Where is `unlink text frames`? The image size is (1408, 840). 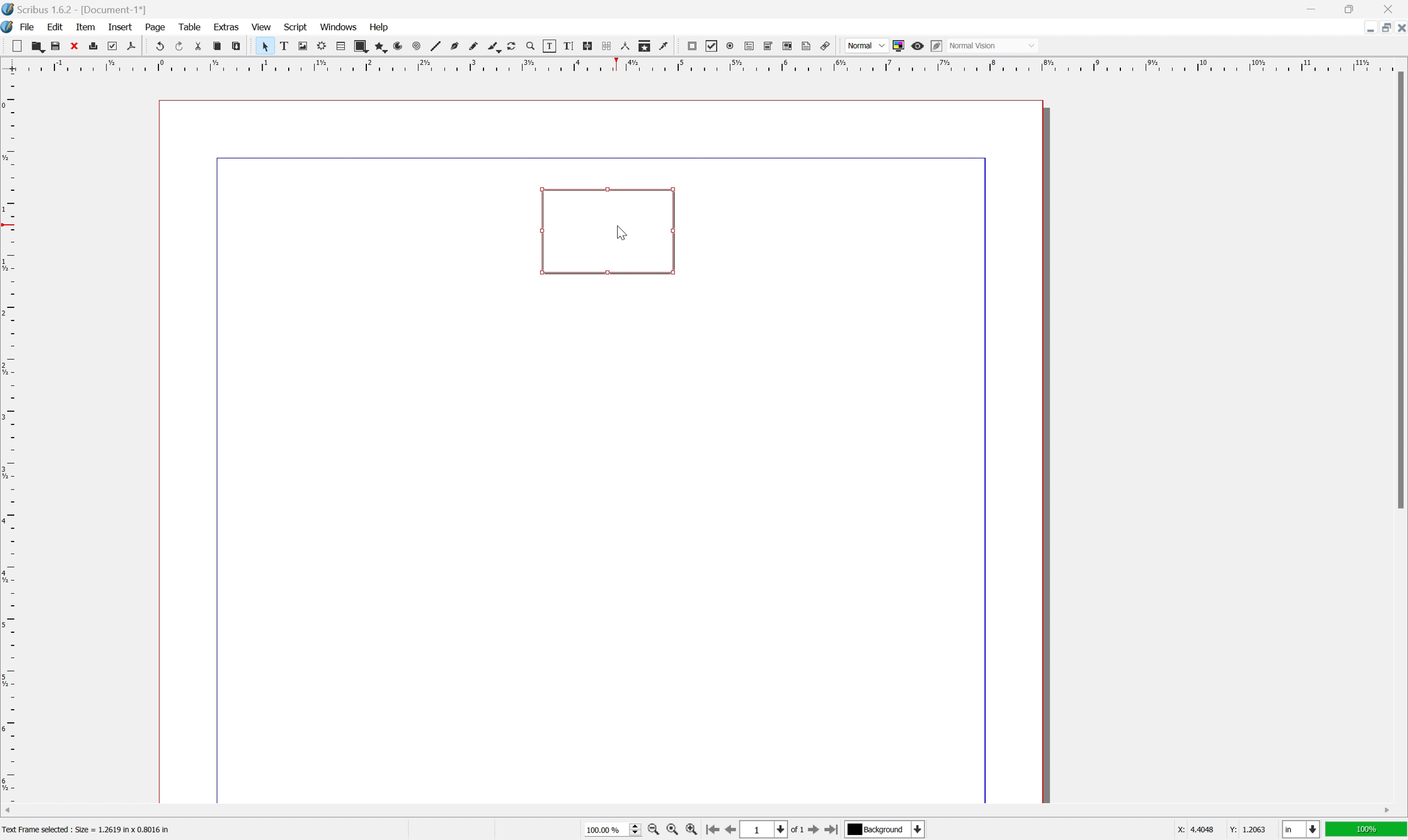
unlink text frames is located at coordinates (606, 46).